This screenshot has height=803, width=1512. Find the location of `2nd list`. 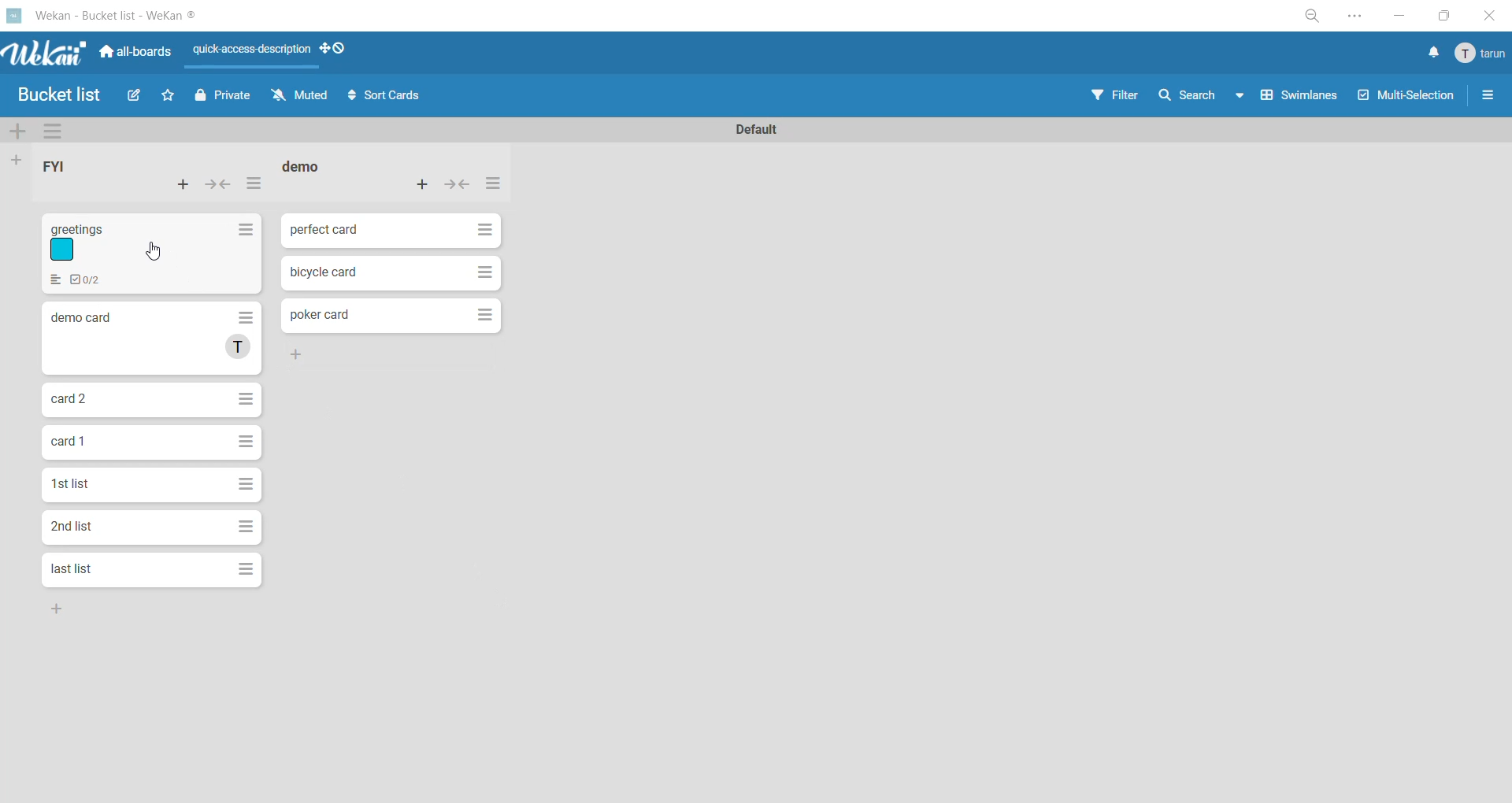

2nd list is located at coordinates (151, 529).